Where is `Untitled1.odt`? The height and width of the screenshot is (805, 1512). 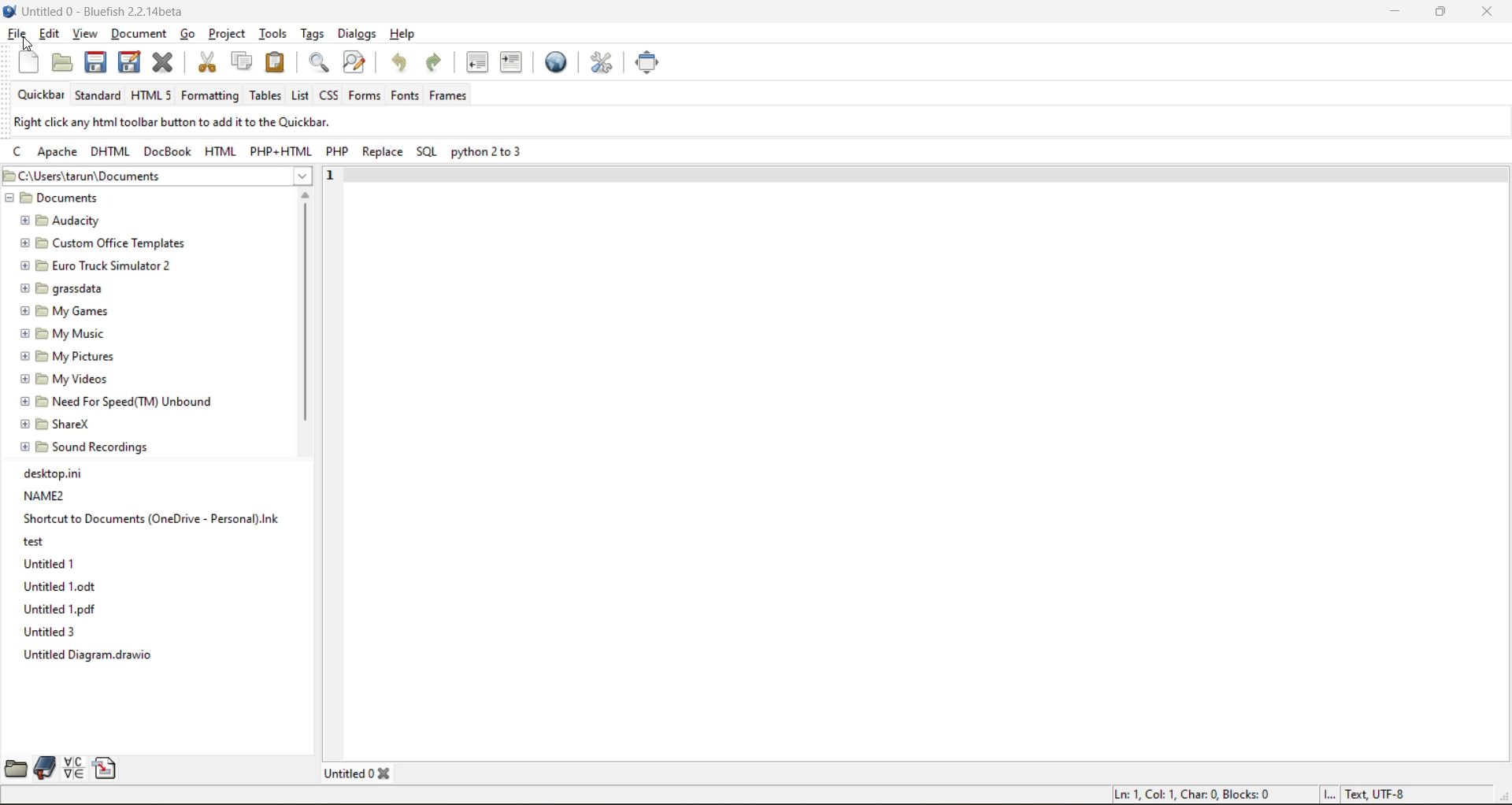 Untitled1.odt is located at coordinates (59, 587).